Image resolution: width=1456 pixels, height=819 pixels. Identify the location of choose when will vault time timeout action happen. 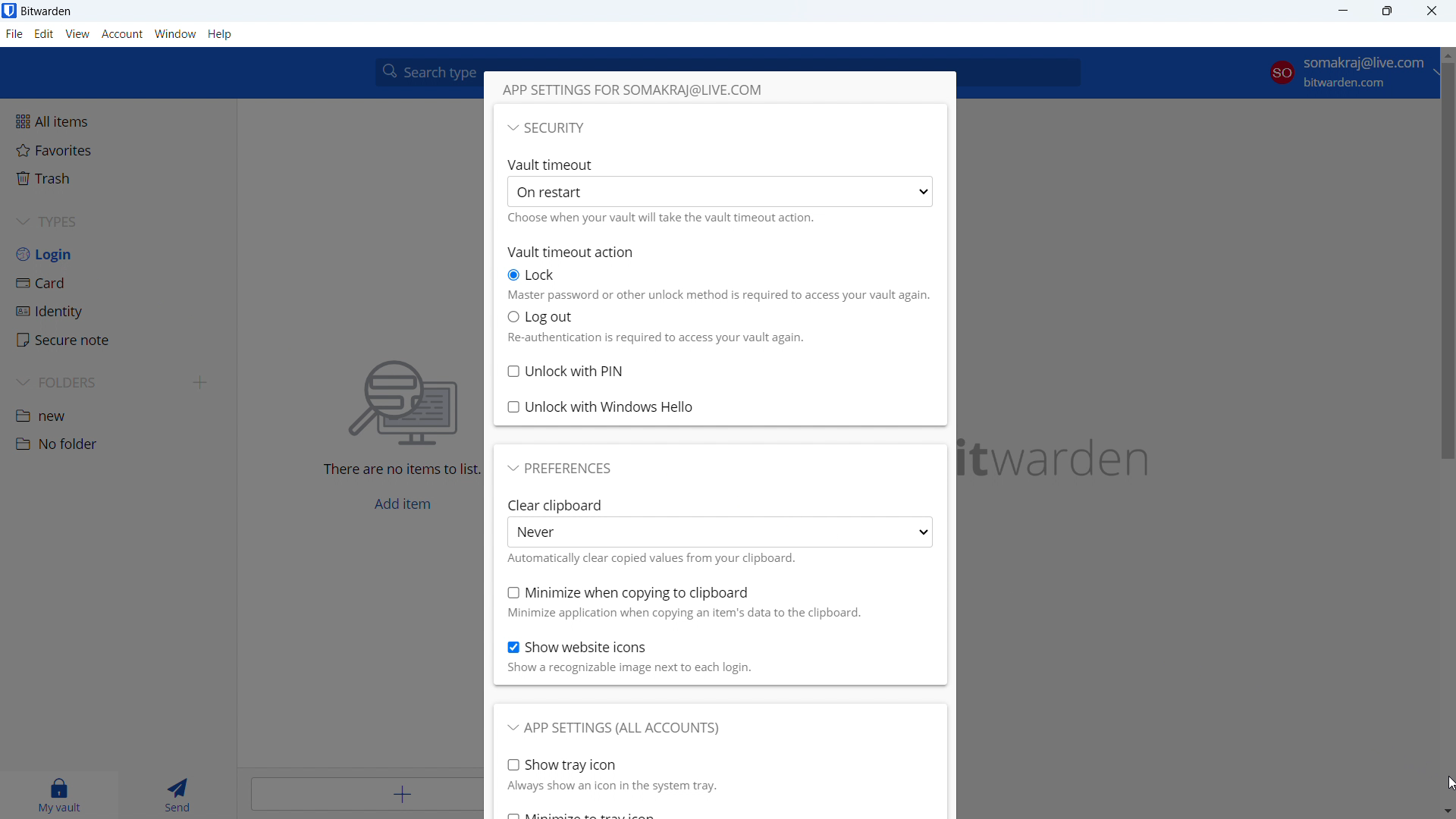
(657, 219).